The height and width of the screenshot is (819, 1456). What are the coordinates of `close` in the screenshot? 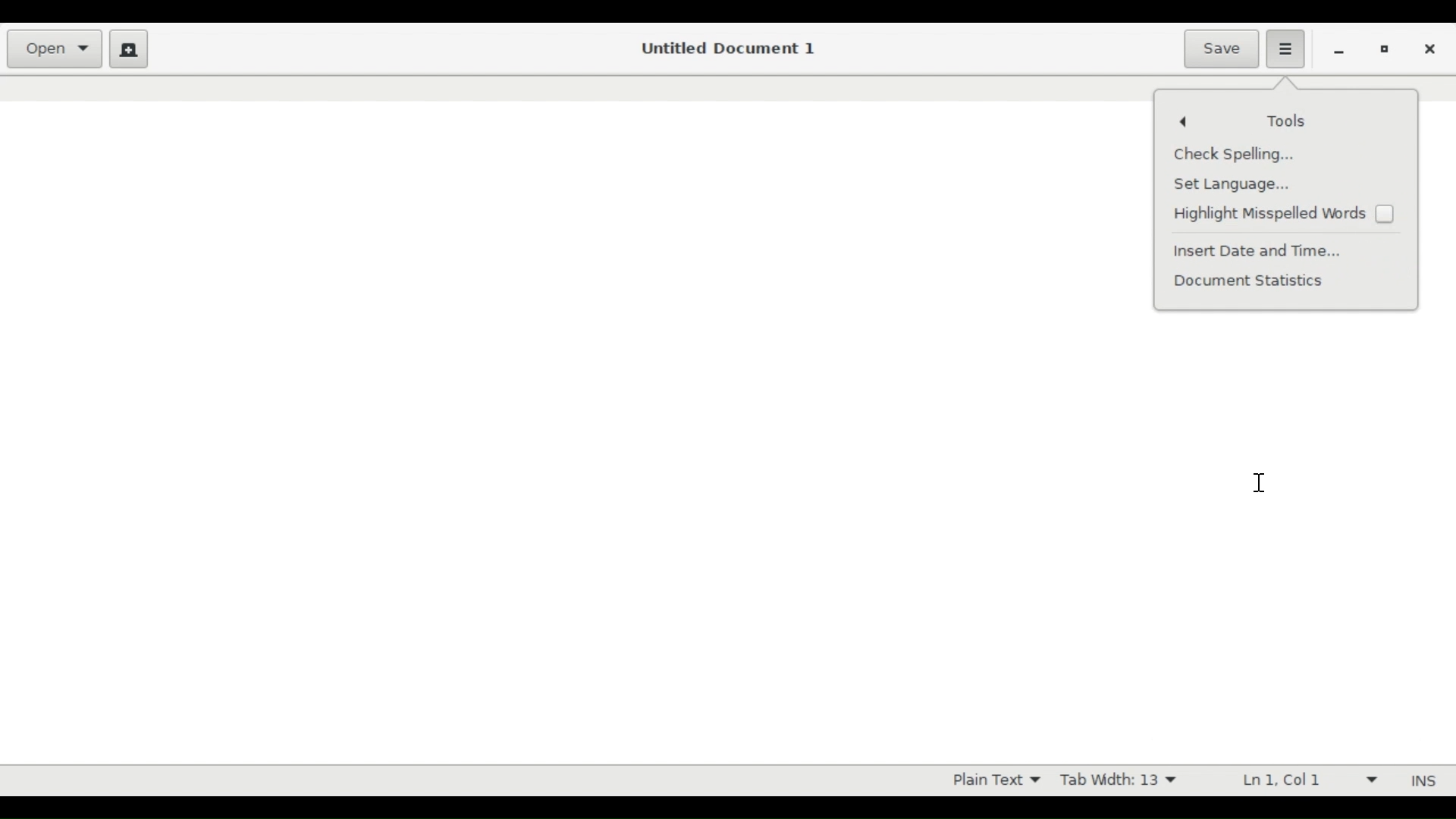 It's located at (1429, 49).